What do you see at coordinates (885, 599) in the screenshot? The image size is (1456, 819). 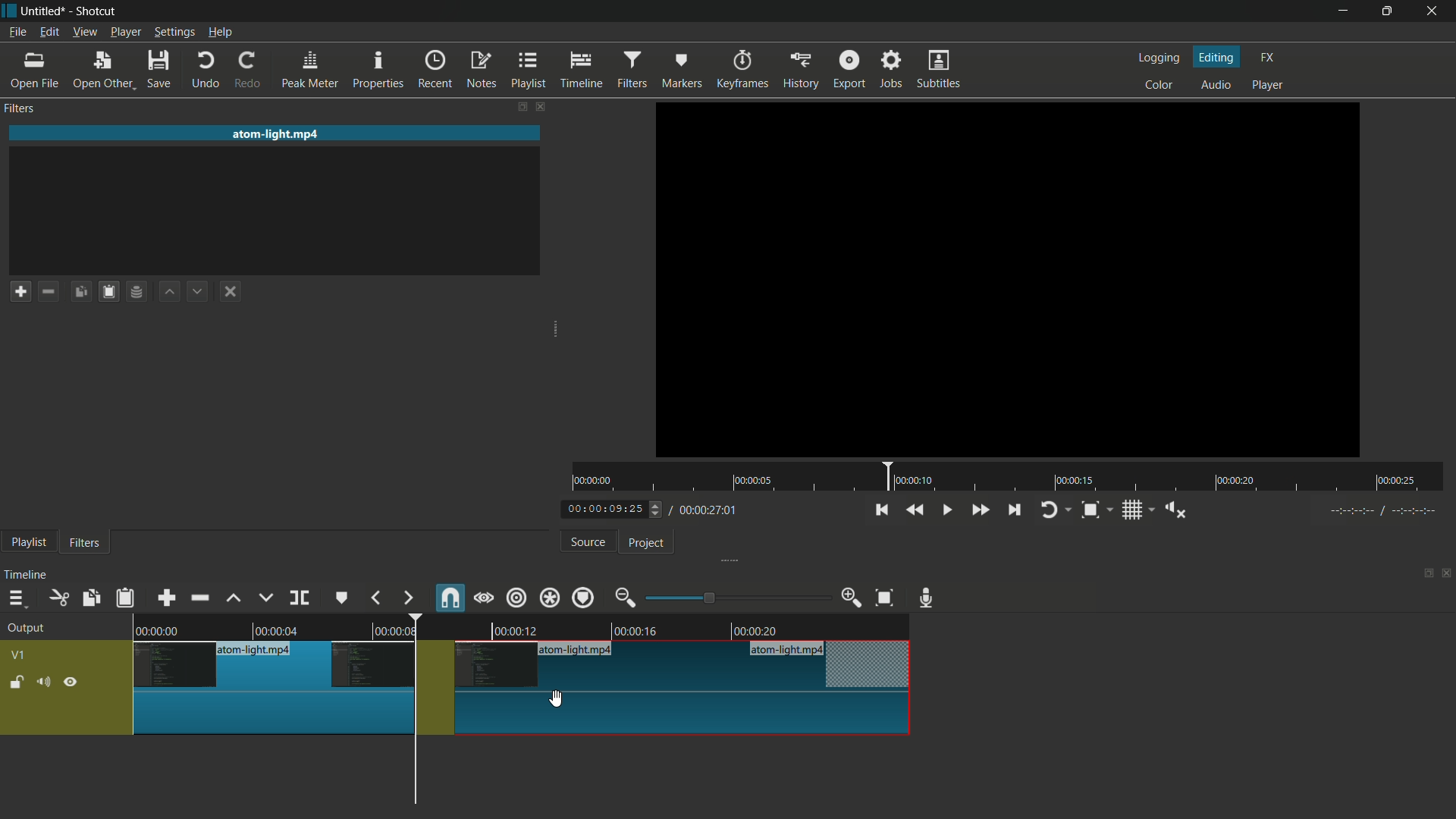 I see `zoom timeline to fit` at bounding box center [885, 599].